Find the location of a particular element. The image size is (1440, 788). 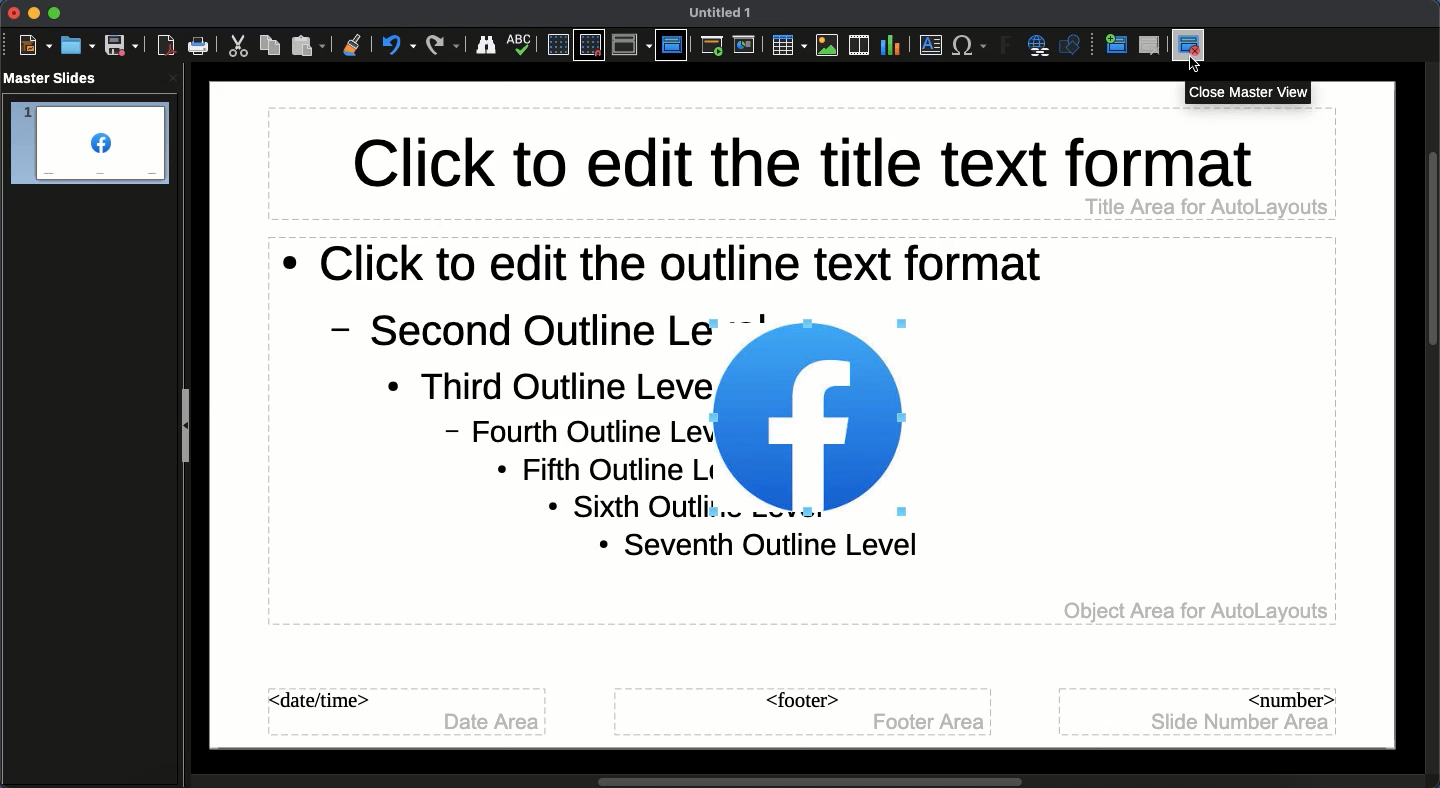

Textbox is located at coordinates (929, 46).